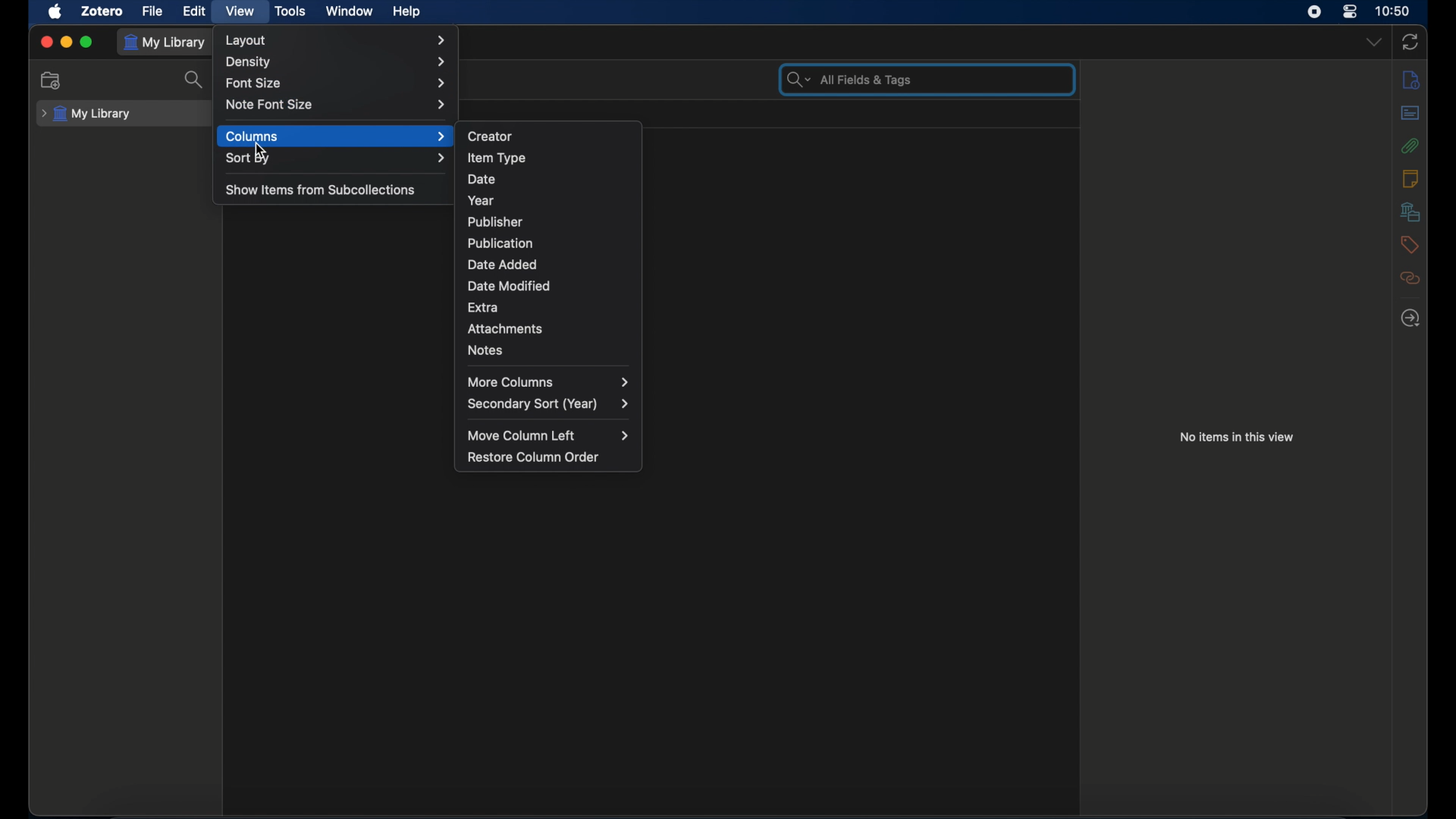 This screenshot has width=1456, height=819. What do you see at coordinates (1410, 212) in the screenshot?
I see `libraries` at bounding box center [1410, 212].